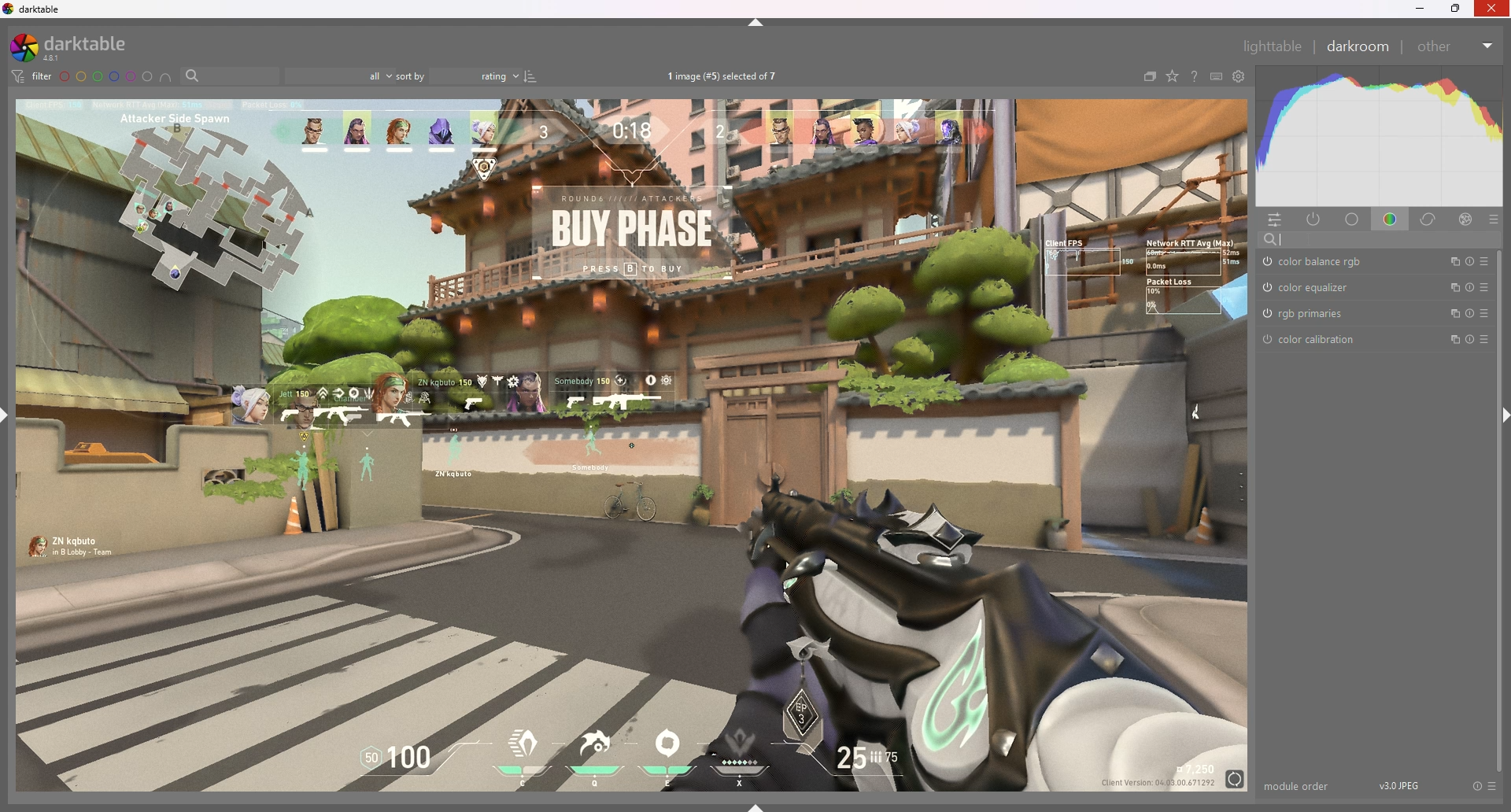 This screenshot has height=812, width=1511. I want to click on effect, so click(1466, 220).